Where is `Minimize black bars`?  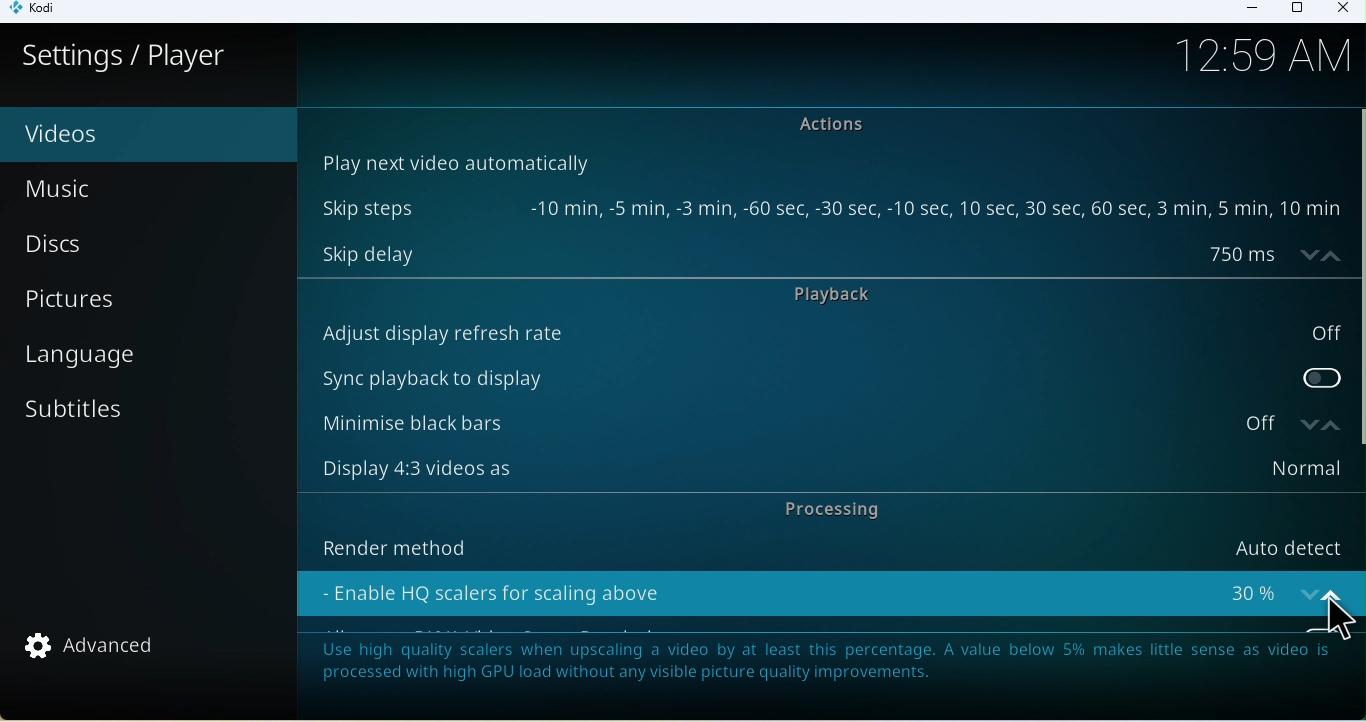 Minimize black bars is located at coordinates (793, 424).